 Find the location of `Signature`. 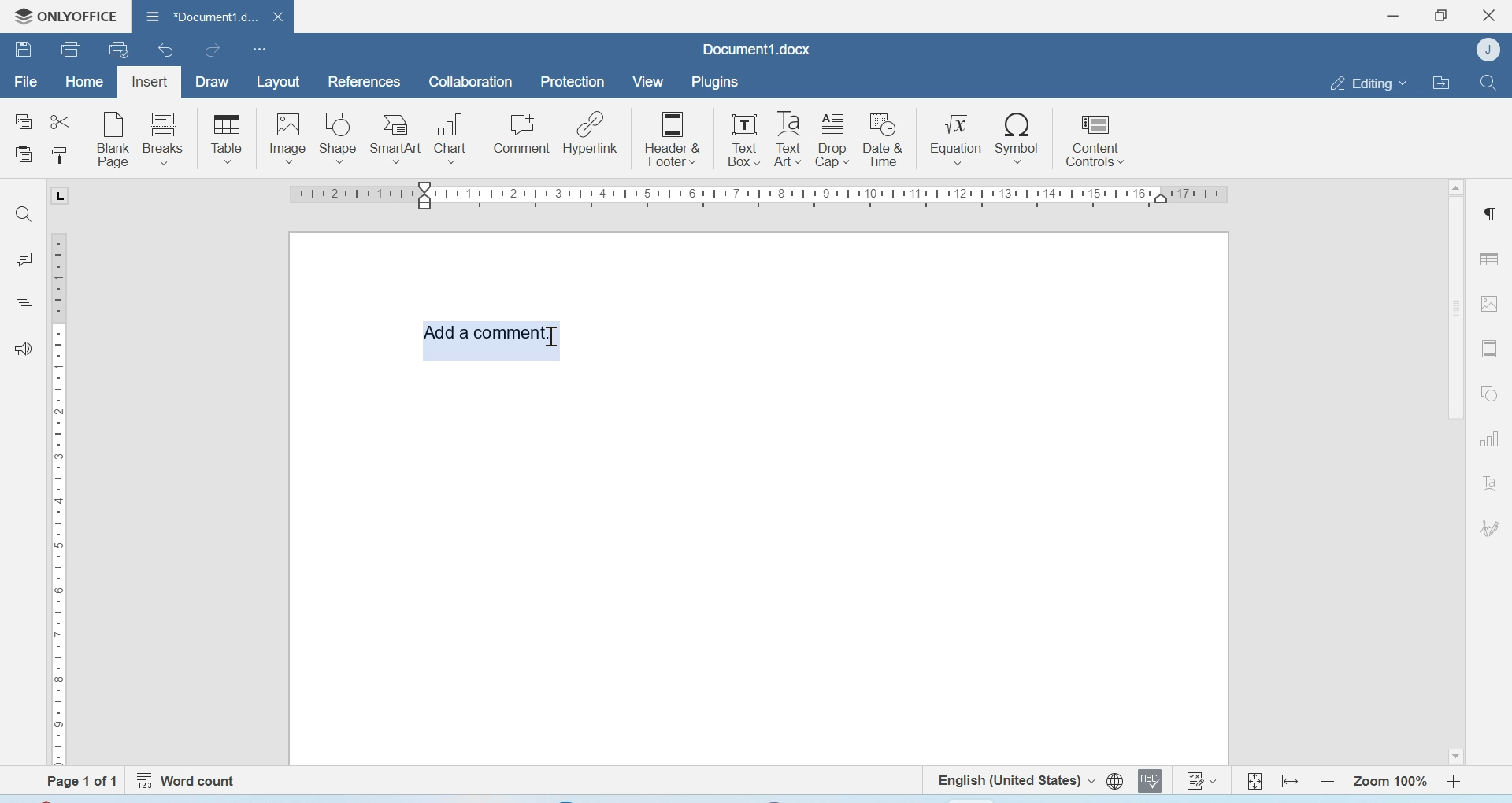

Signature is located at coordinates (1491, 528).